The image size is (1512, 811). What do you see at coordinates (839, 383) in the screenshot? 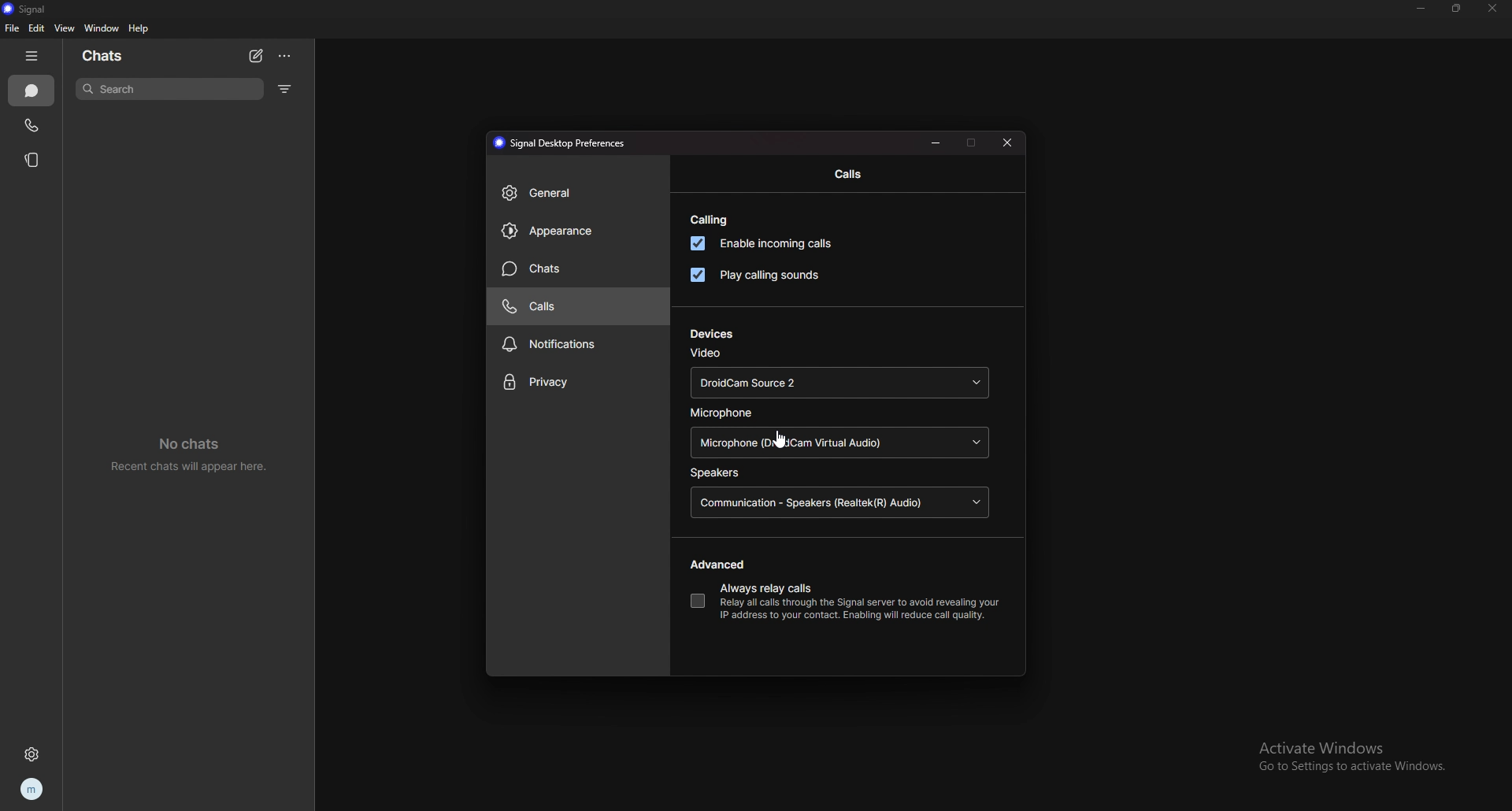
I see `video source` at bounding box center [839, 383].